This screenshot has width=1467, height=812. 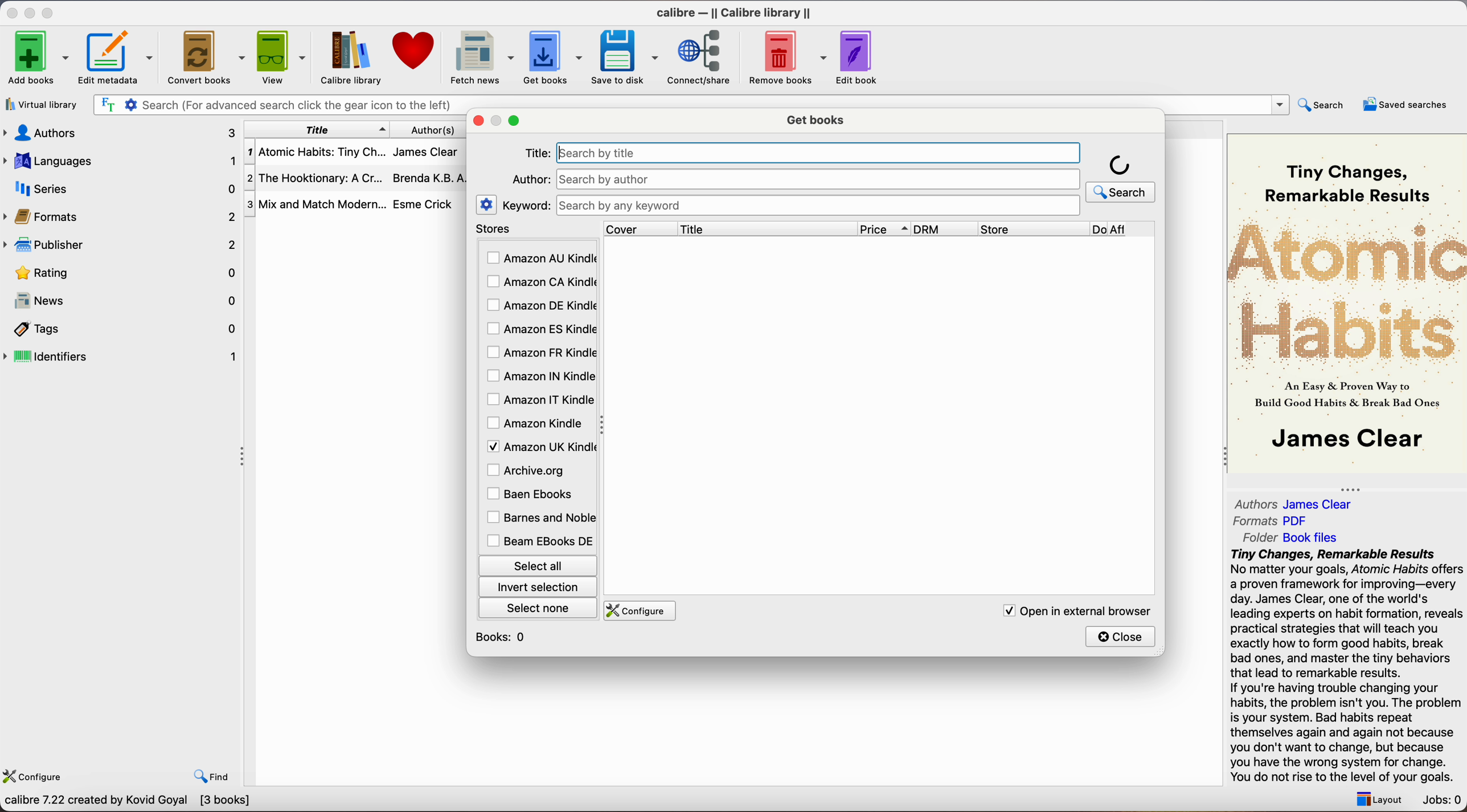 What do you see at coordinates (625, 58) in the screenshot?
I see `save to disk` at bounding box center [625, 58].